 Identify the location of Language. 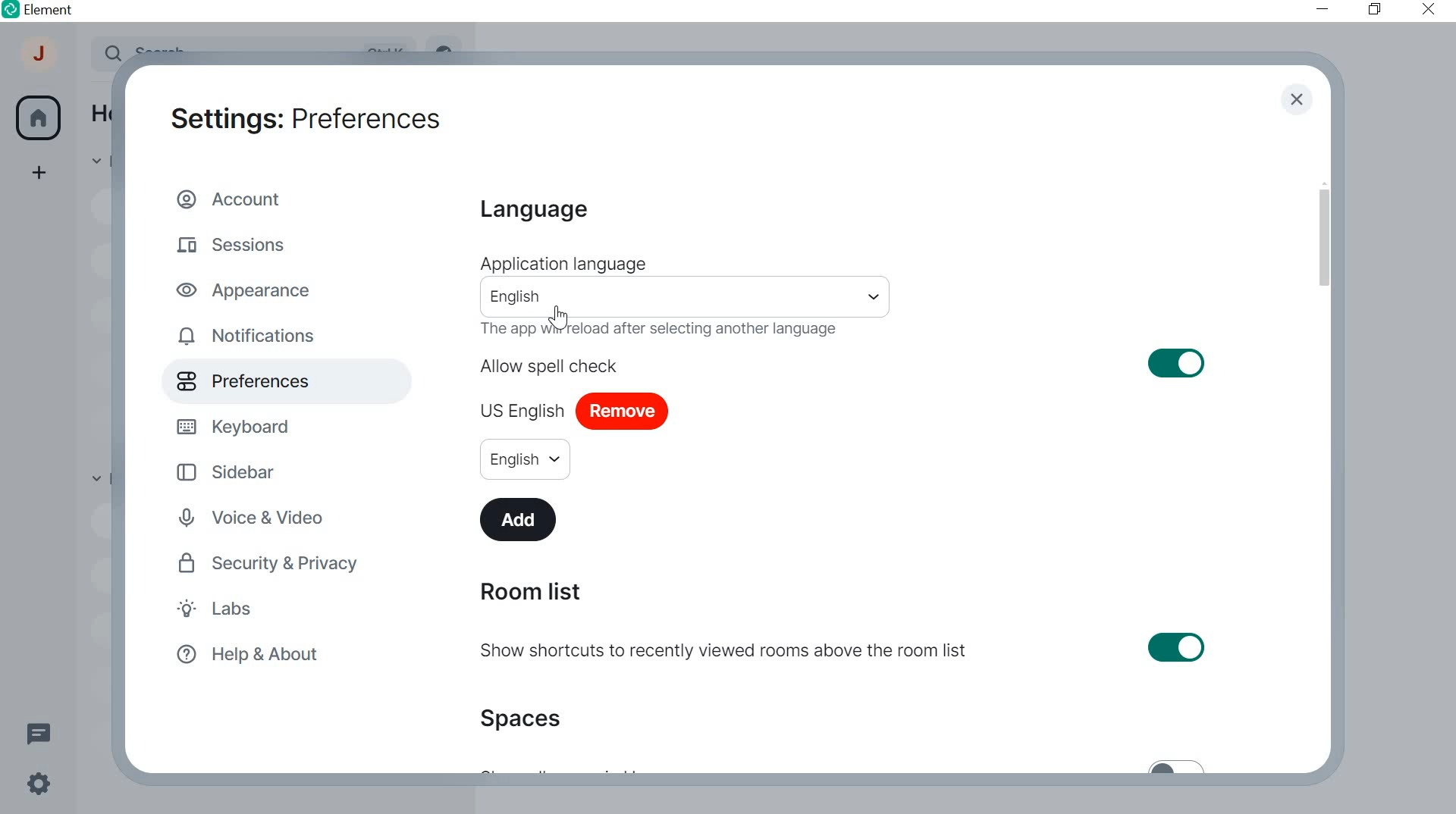
(532, 211).